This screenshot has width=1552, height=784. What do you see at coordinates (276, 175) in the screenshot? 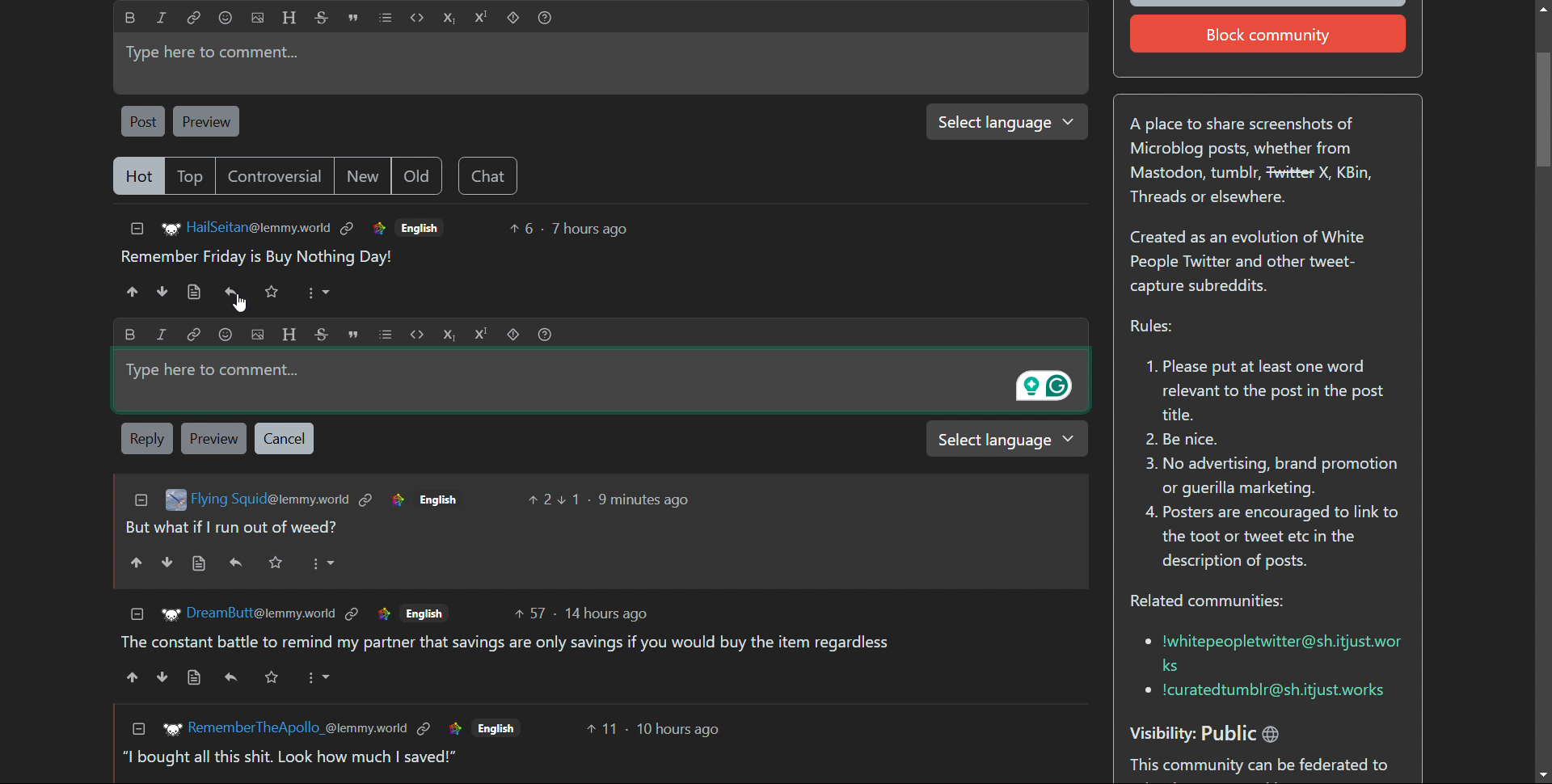
I see `controversial` at bounding box center [276, 175].